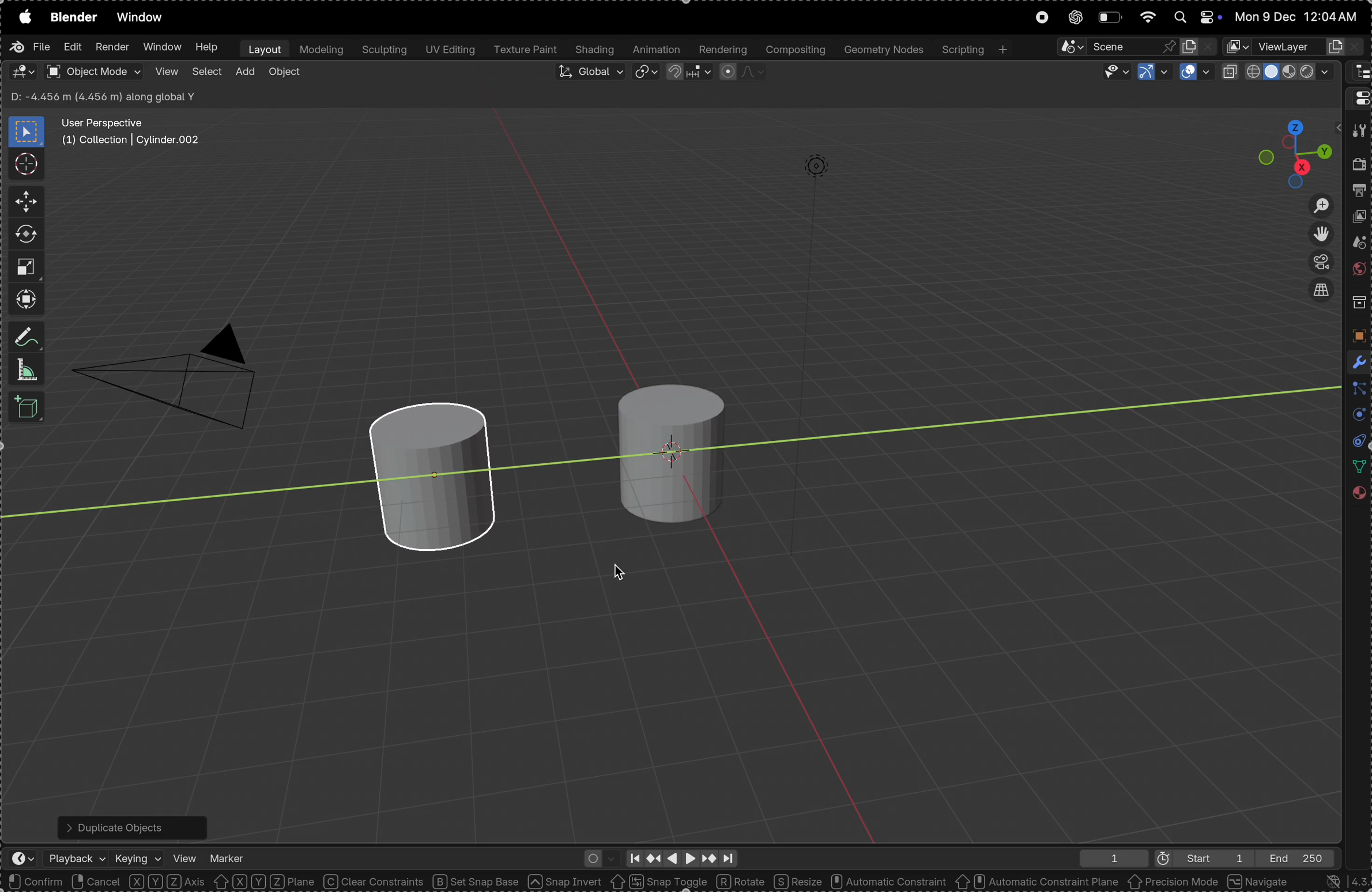 This screenshot has width=1372, height=892. Describe the element at coordinates (93, 71) in the screenshot. I see `object mode` at that location.